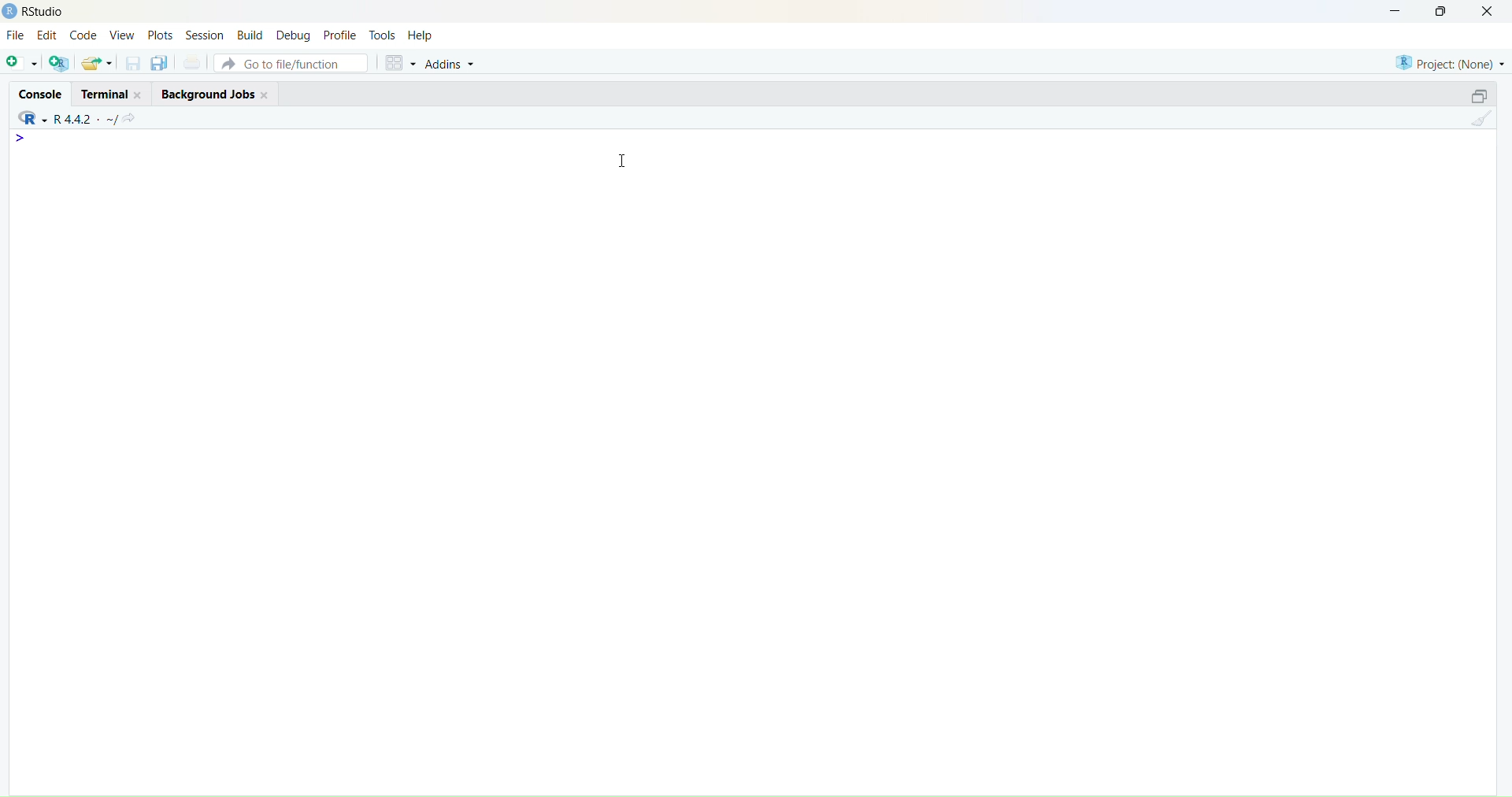 The height and width of the screenshot is (797, 1512). What do you see at coordinates (250, 34) in the screenshot?
I see `Build` at bounding box center [250, 34].